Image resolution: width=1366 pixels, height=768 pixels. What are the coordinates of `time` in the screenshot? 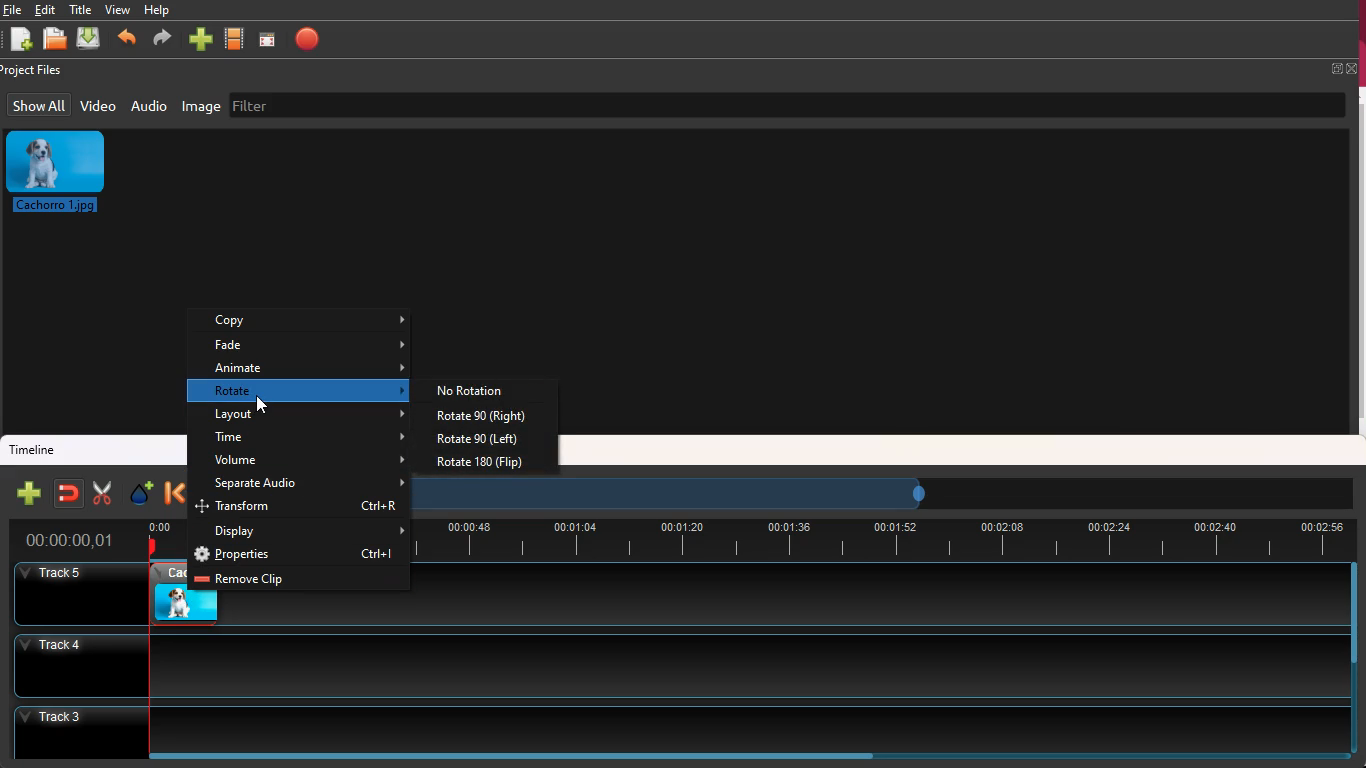 It's located at (67, 539).